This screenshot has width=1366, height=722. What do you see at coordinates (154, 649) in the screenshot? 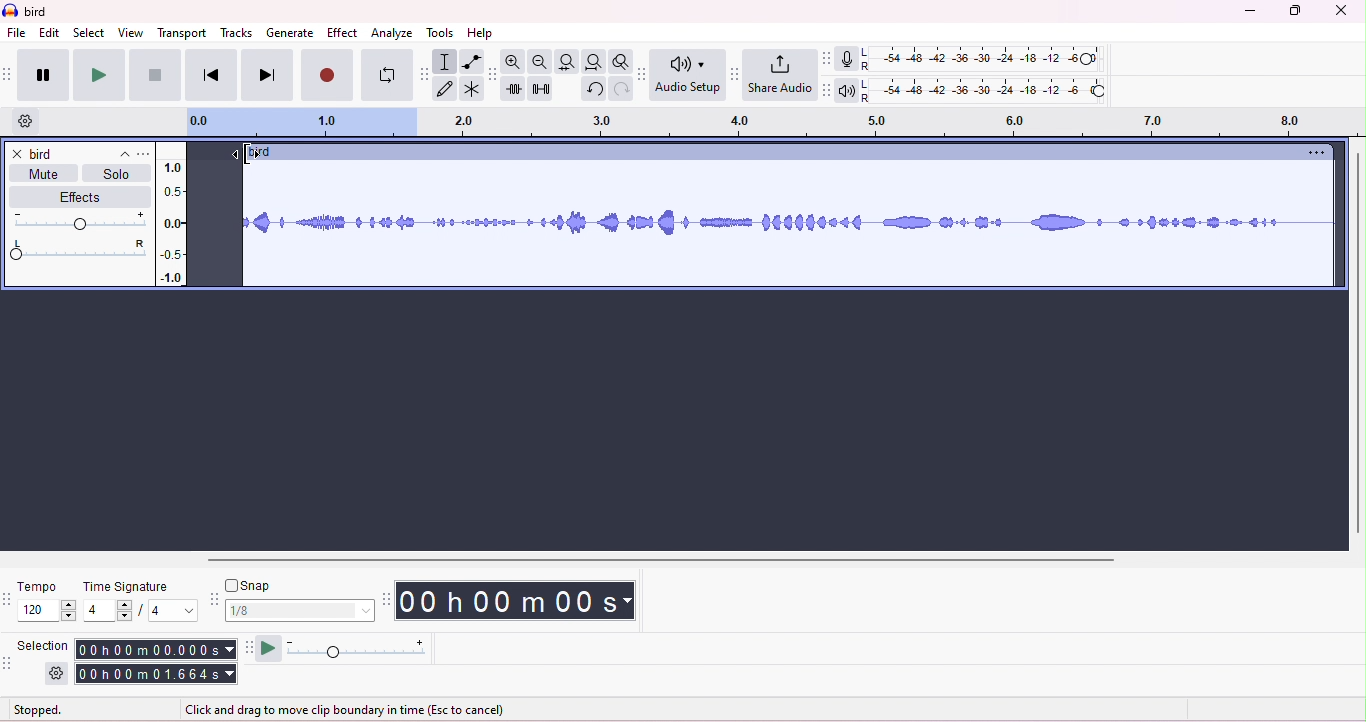
I see `selection time` at bounding box center [154, 649].